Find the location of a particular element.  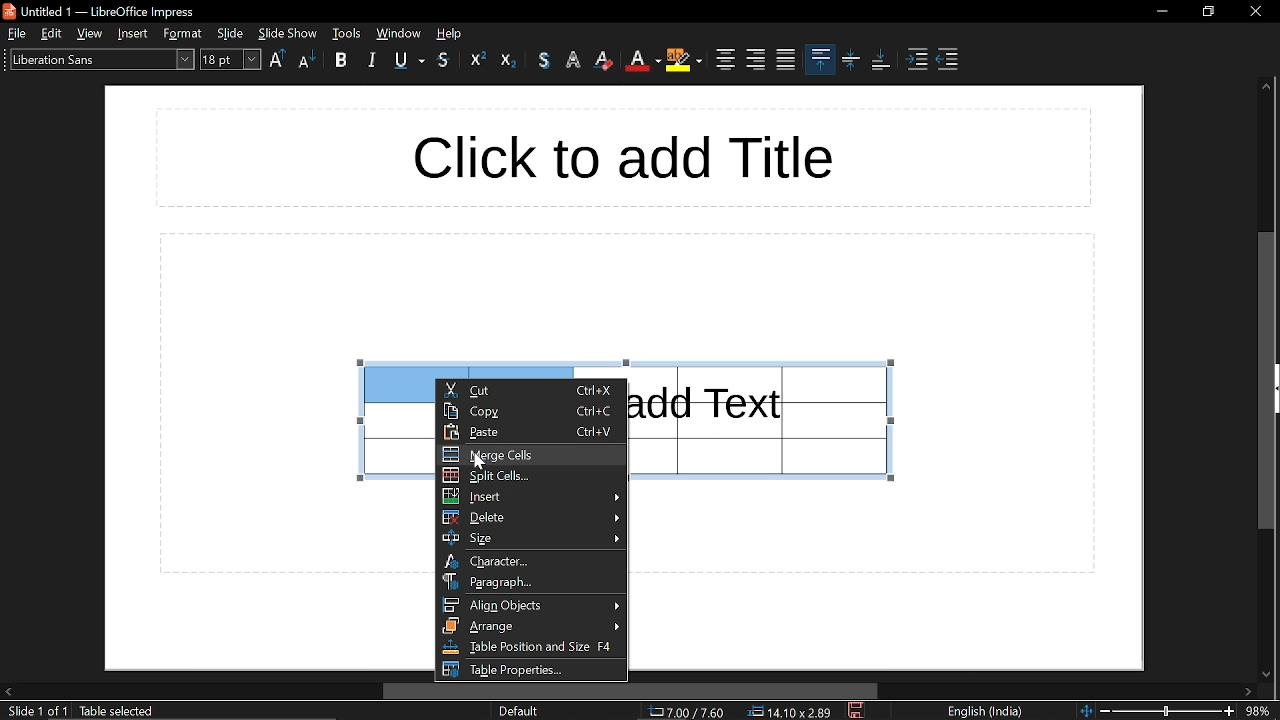

text style is located at coordinates (99, 59).